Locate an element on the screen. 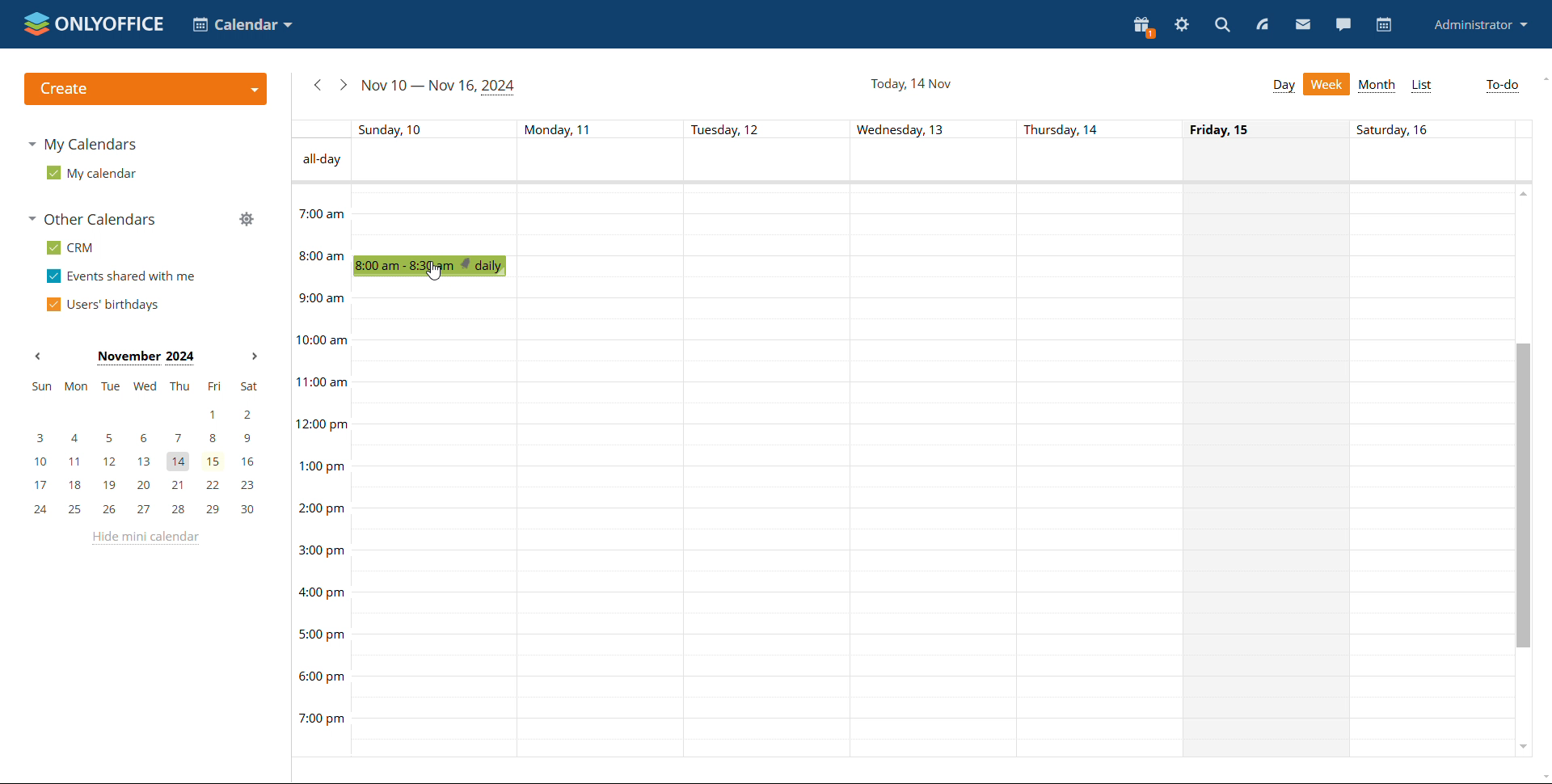 The width and height of the screenshot is (1552, 784). search is located at coordinates (1222, 24).